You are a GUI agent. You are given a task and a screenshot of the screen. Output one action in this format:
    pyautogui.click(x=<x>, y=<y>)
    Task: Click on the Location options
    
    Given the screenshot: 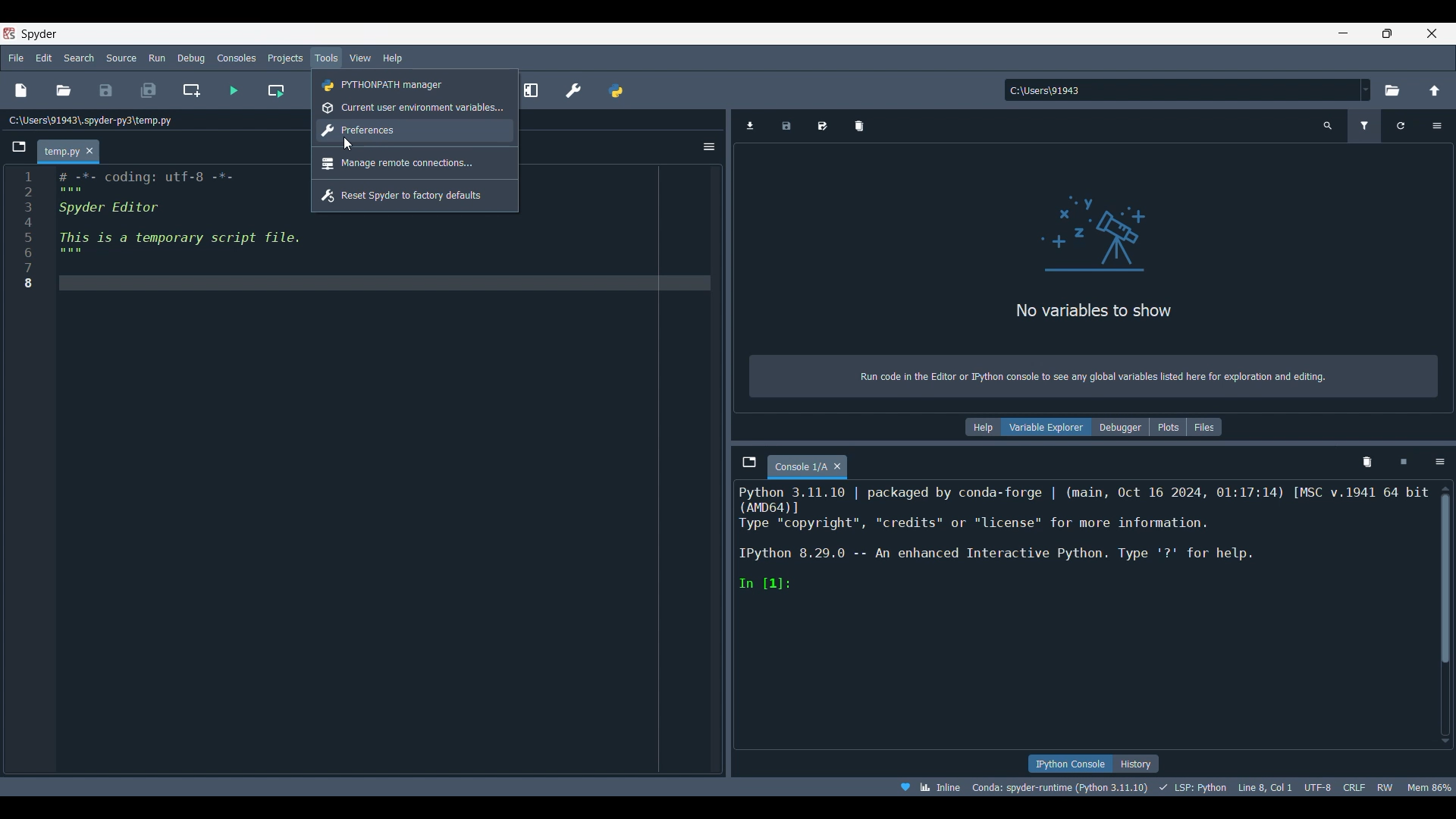 What is the action you would take?
    pyautogui.click(x=1366, y=89)
    